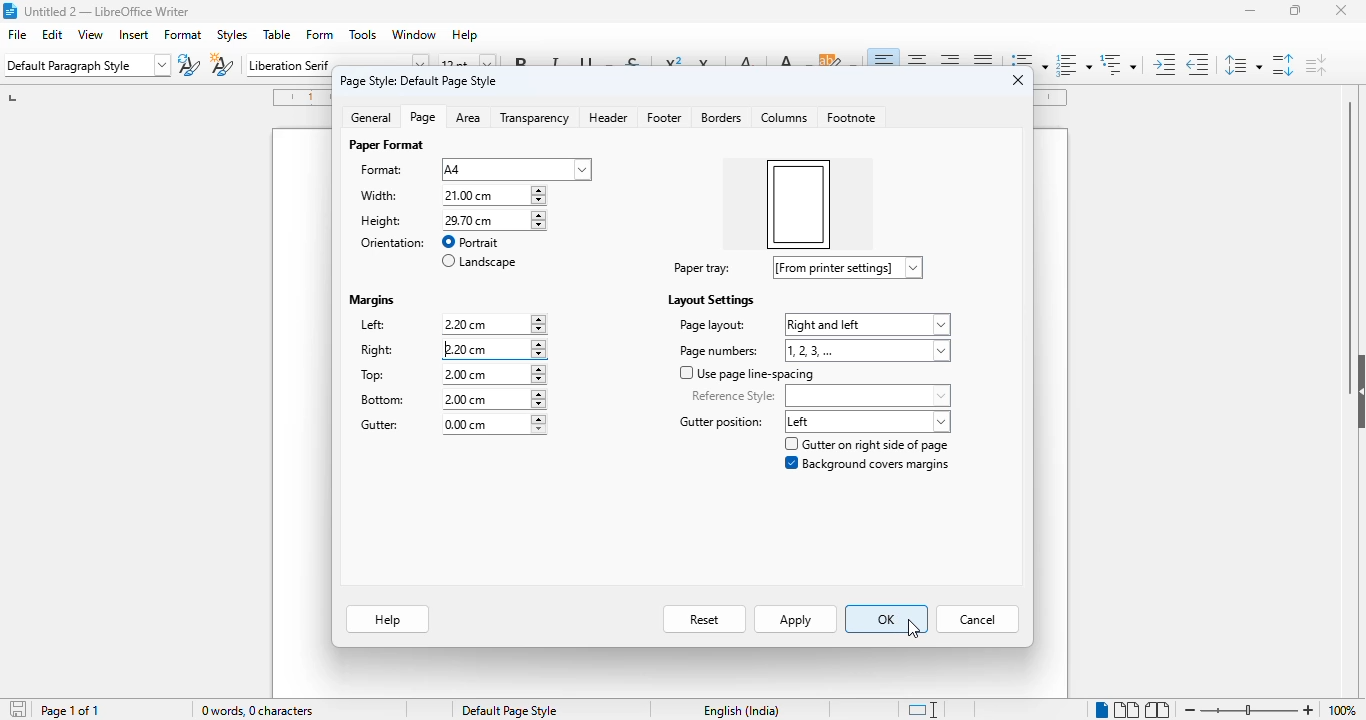  Describe the element at coordinates (721, 117) in the screenshot. I see `borders` at that location.